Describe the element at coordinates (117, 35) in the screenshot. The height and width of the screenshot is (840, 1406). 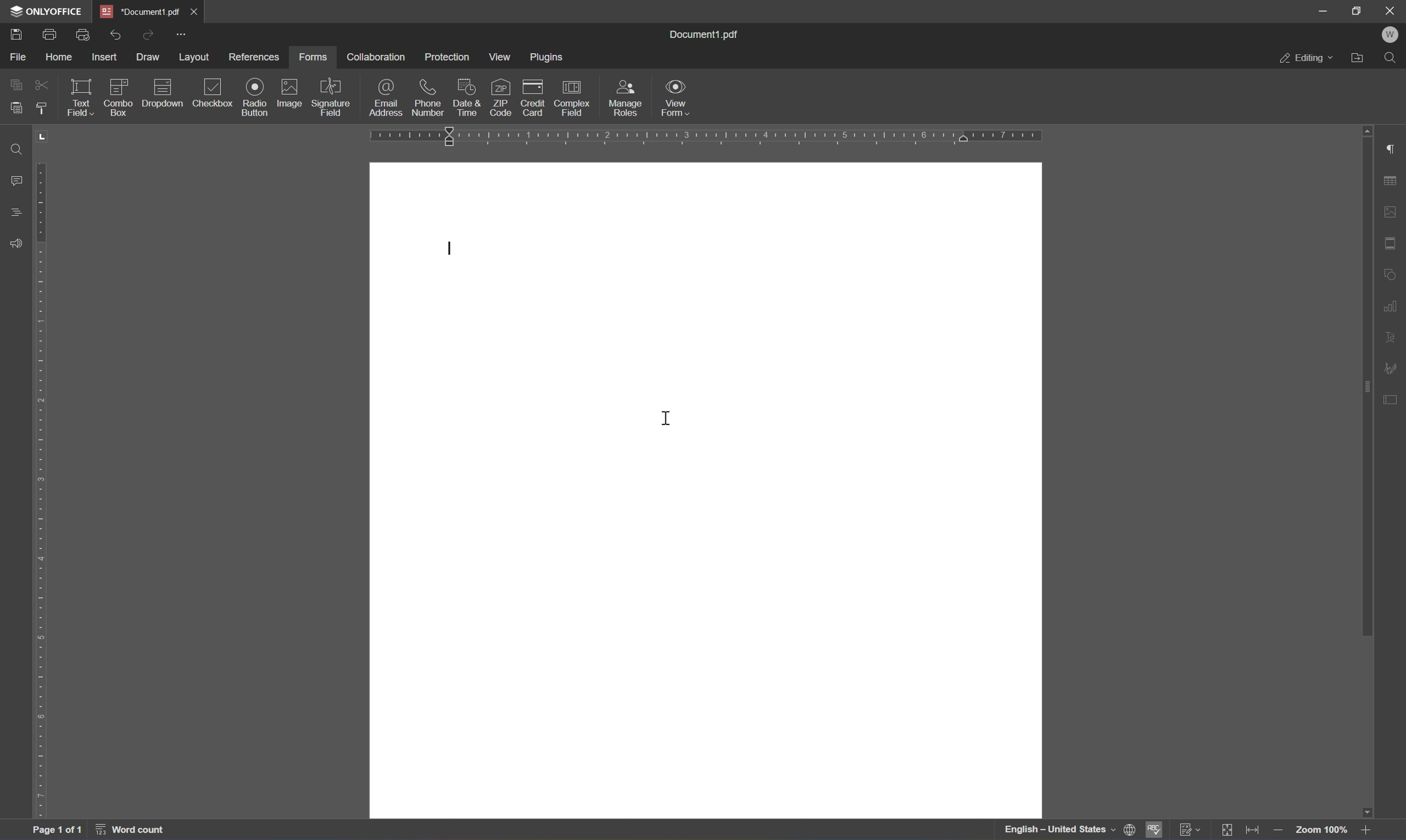
I see `undo` at that location.